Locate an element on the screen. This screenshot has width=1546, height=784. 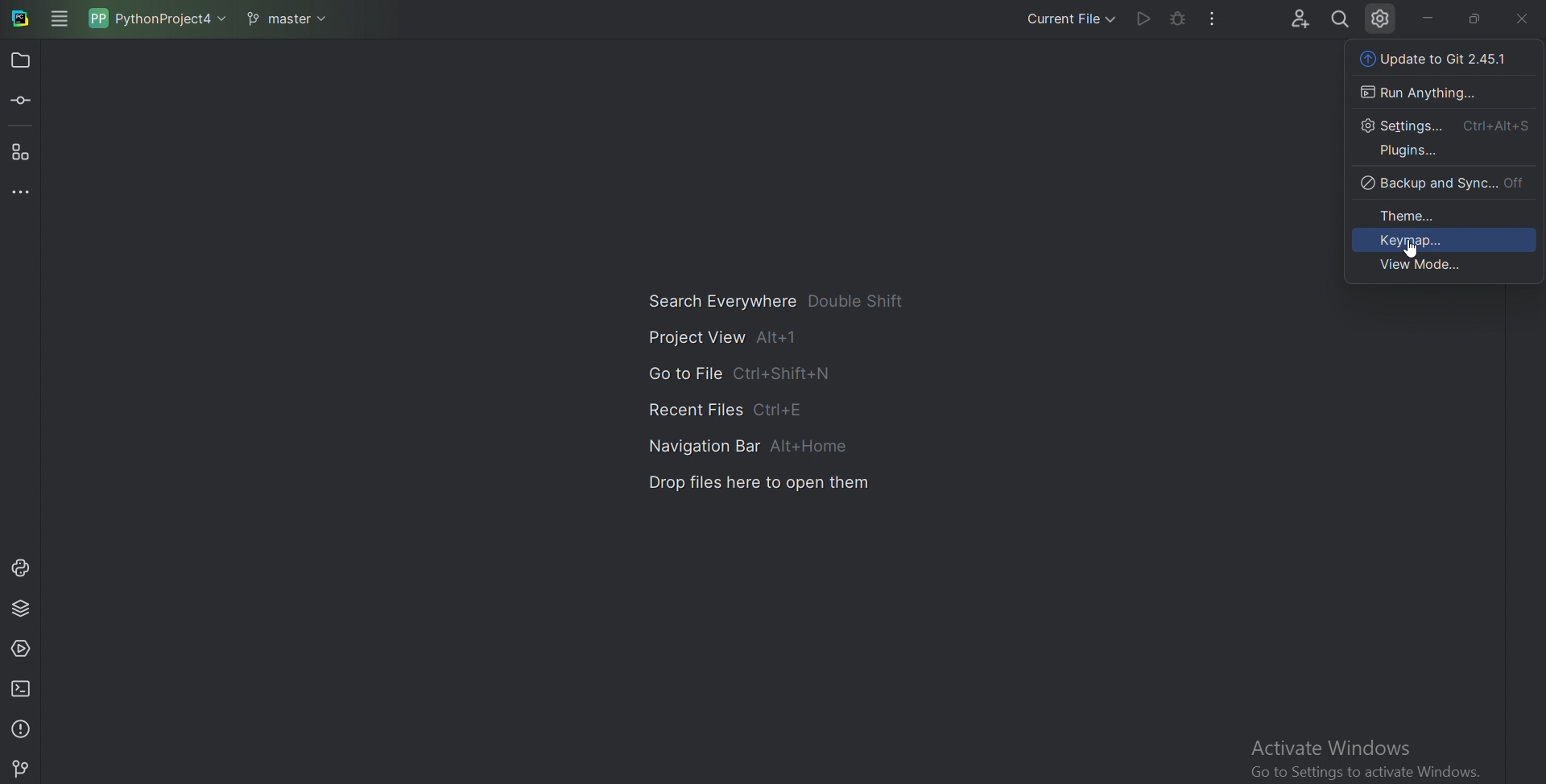
Services is located at coordinates (26, 646).